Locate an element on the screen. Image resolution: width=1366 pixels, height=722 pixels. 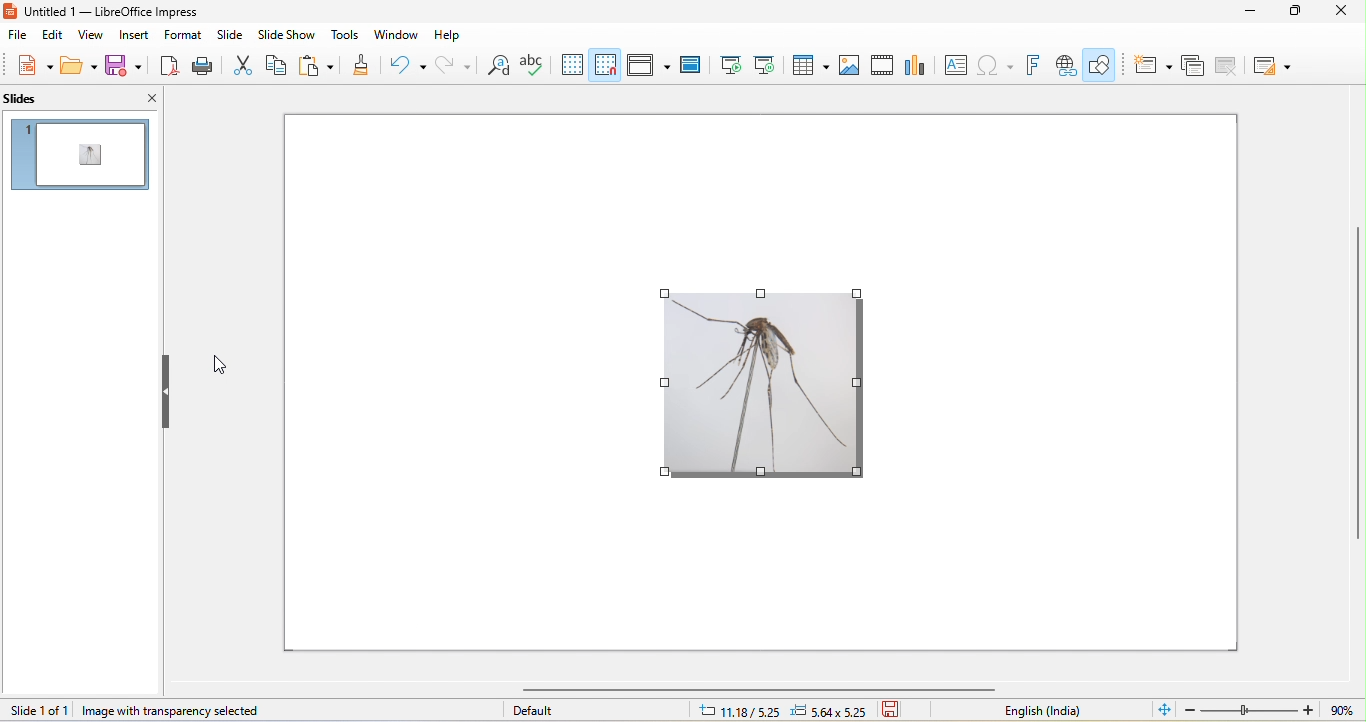
slide 1 of 1 is located at coordinates (38, 710).